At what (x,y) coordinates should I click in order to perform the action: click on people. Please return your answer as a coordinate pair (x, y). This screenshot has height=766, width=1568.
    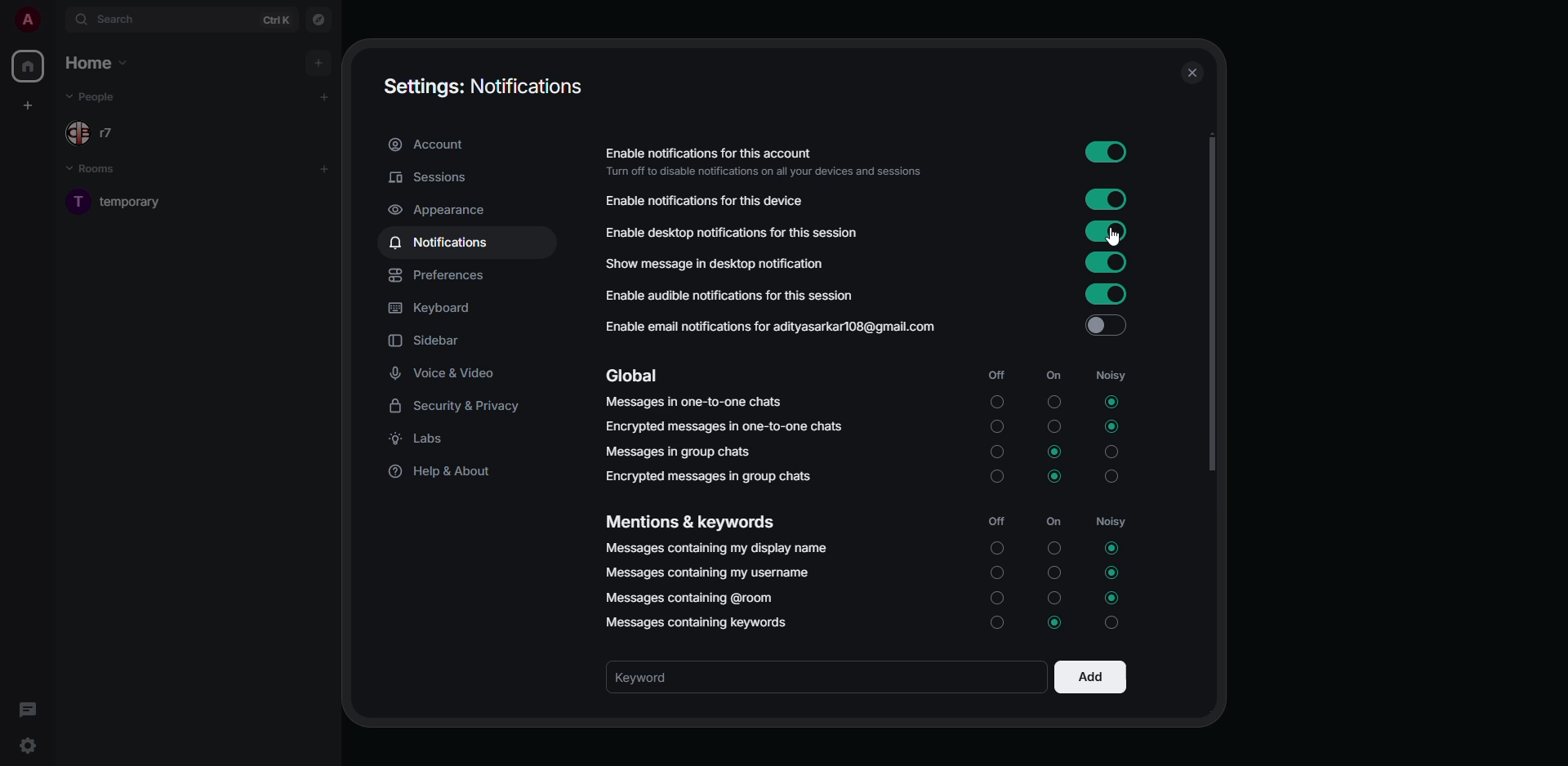
    Looking at the image, I should click on (99, 96).